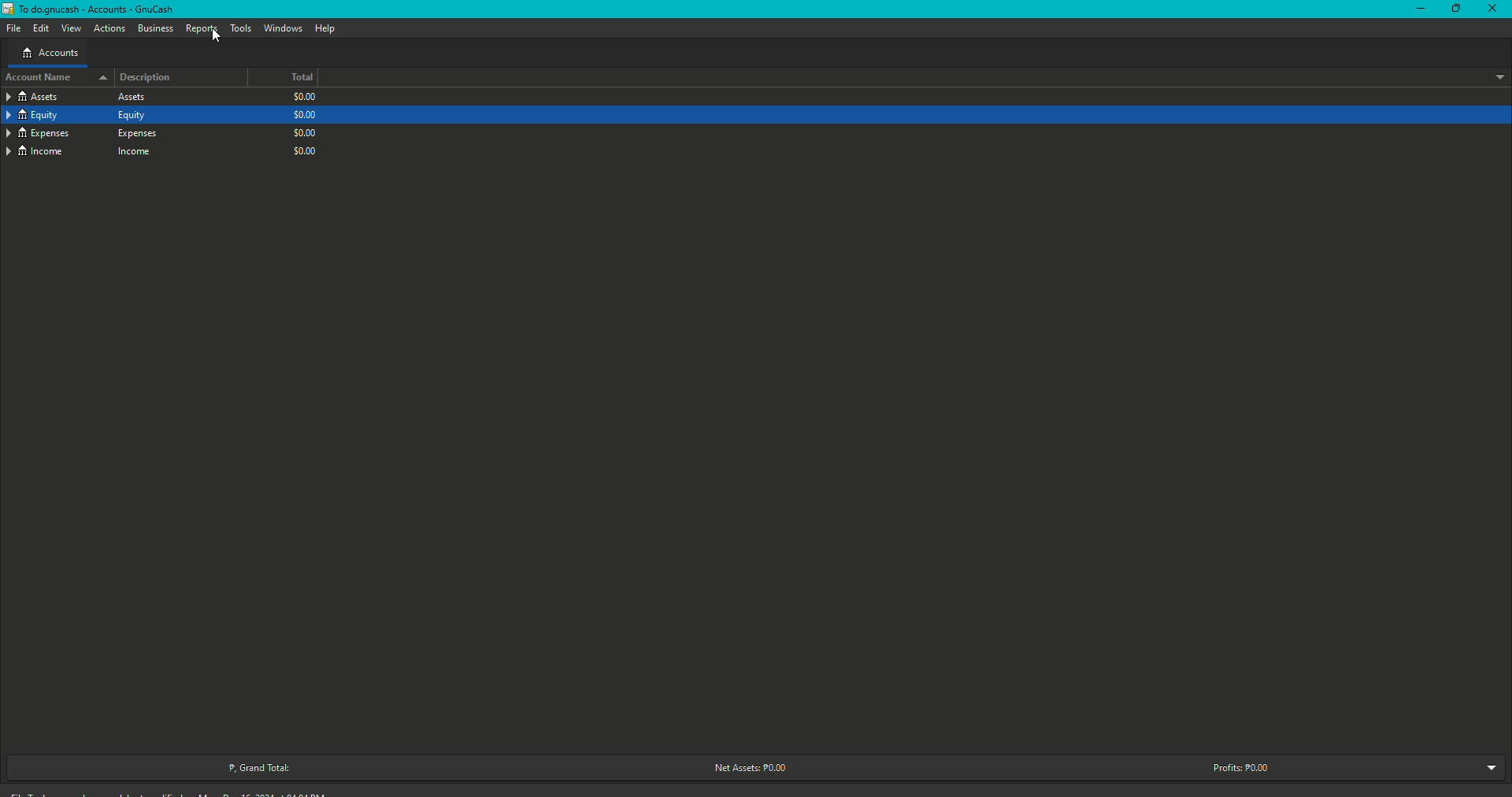  What do you see at coordinates (14, 28) in the screenshot?
I see `File` at bounding box center [14, 28].